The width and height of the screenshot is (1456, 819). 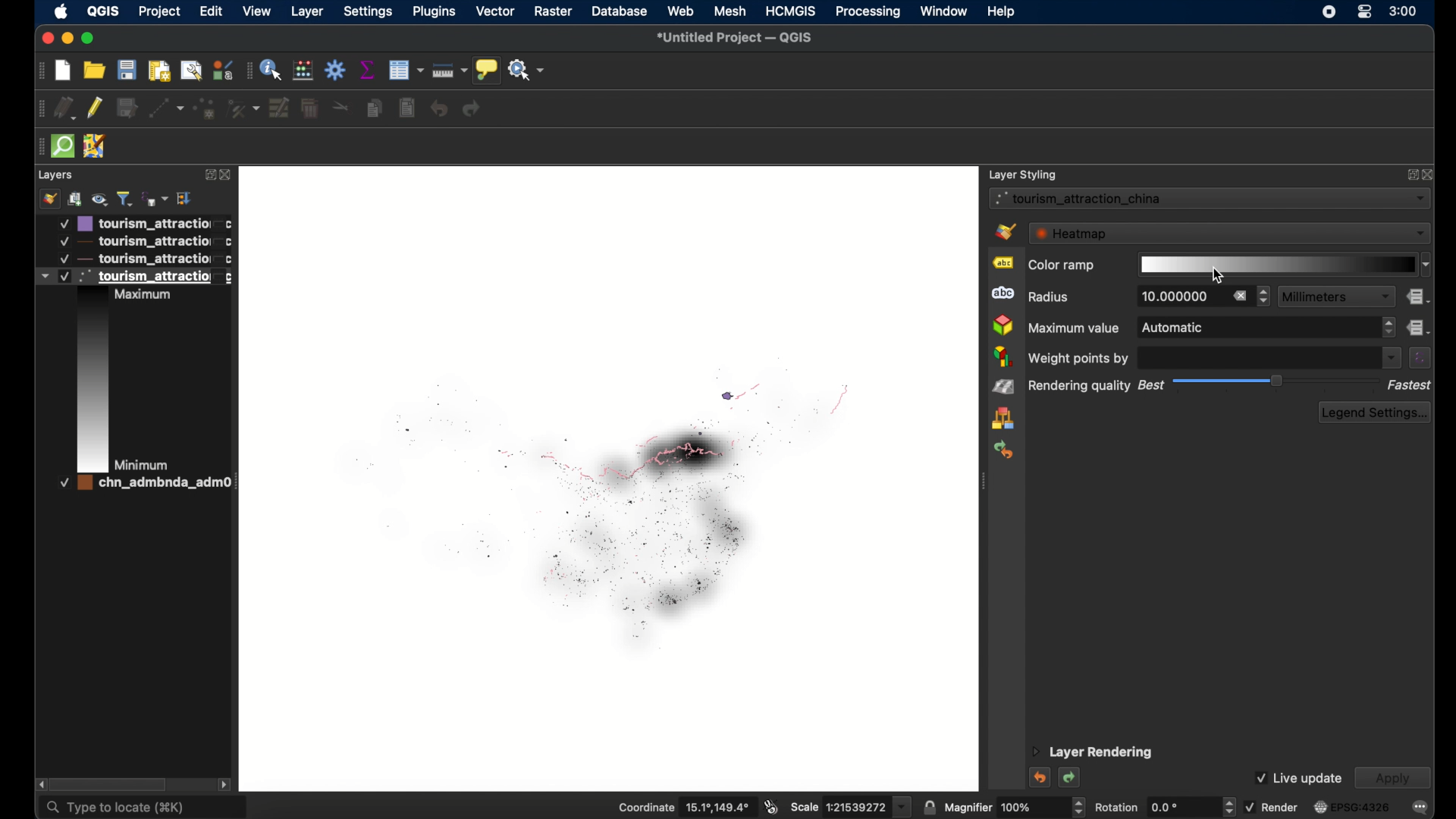 What do you see at coordinates (209, 11) in the screenshot?
I see `edit` at bounding box center [209, 11].